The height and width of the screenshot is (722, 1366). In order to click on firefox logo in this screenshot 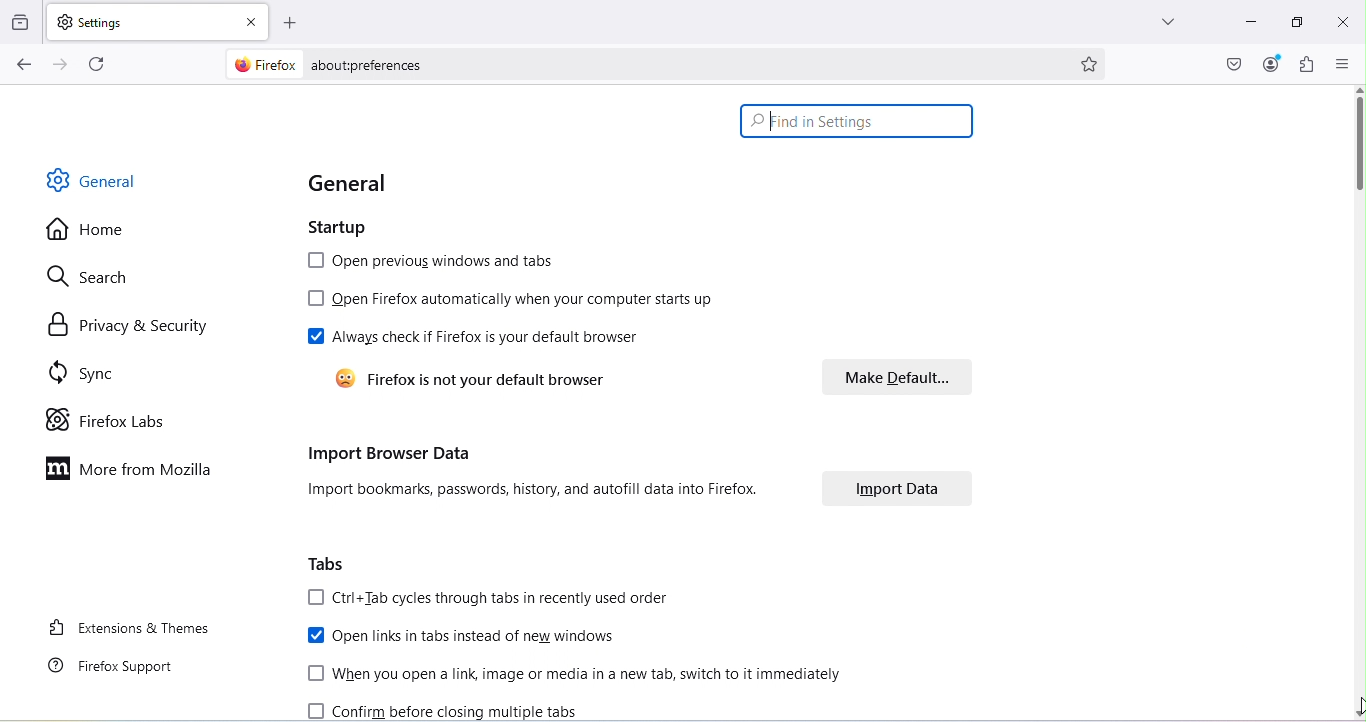, I will do `click(265, 64)`.